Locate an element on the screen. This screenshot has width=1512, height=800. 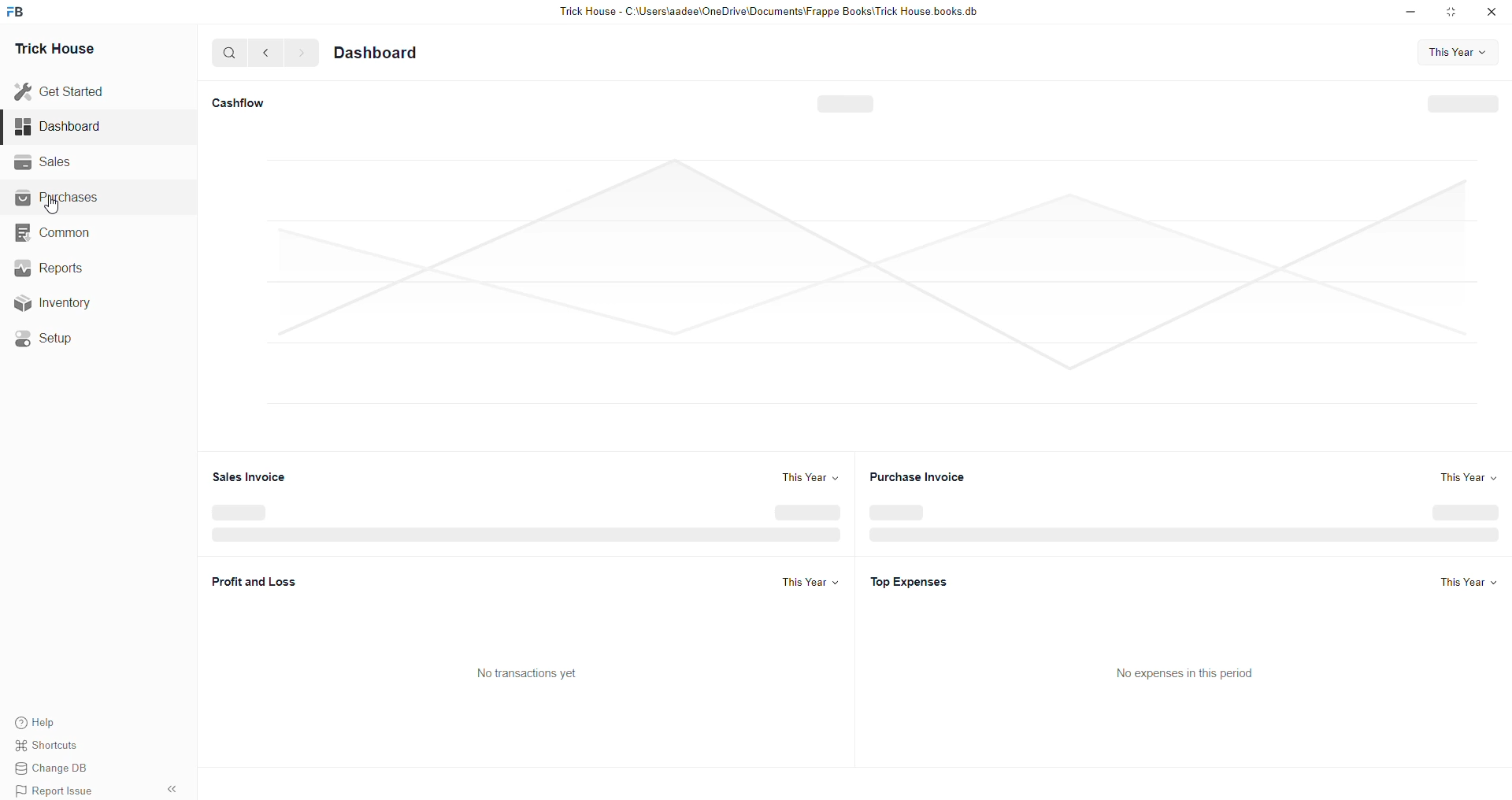
Top Expenses is located at coordinates (906, 580).